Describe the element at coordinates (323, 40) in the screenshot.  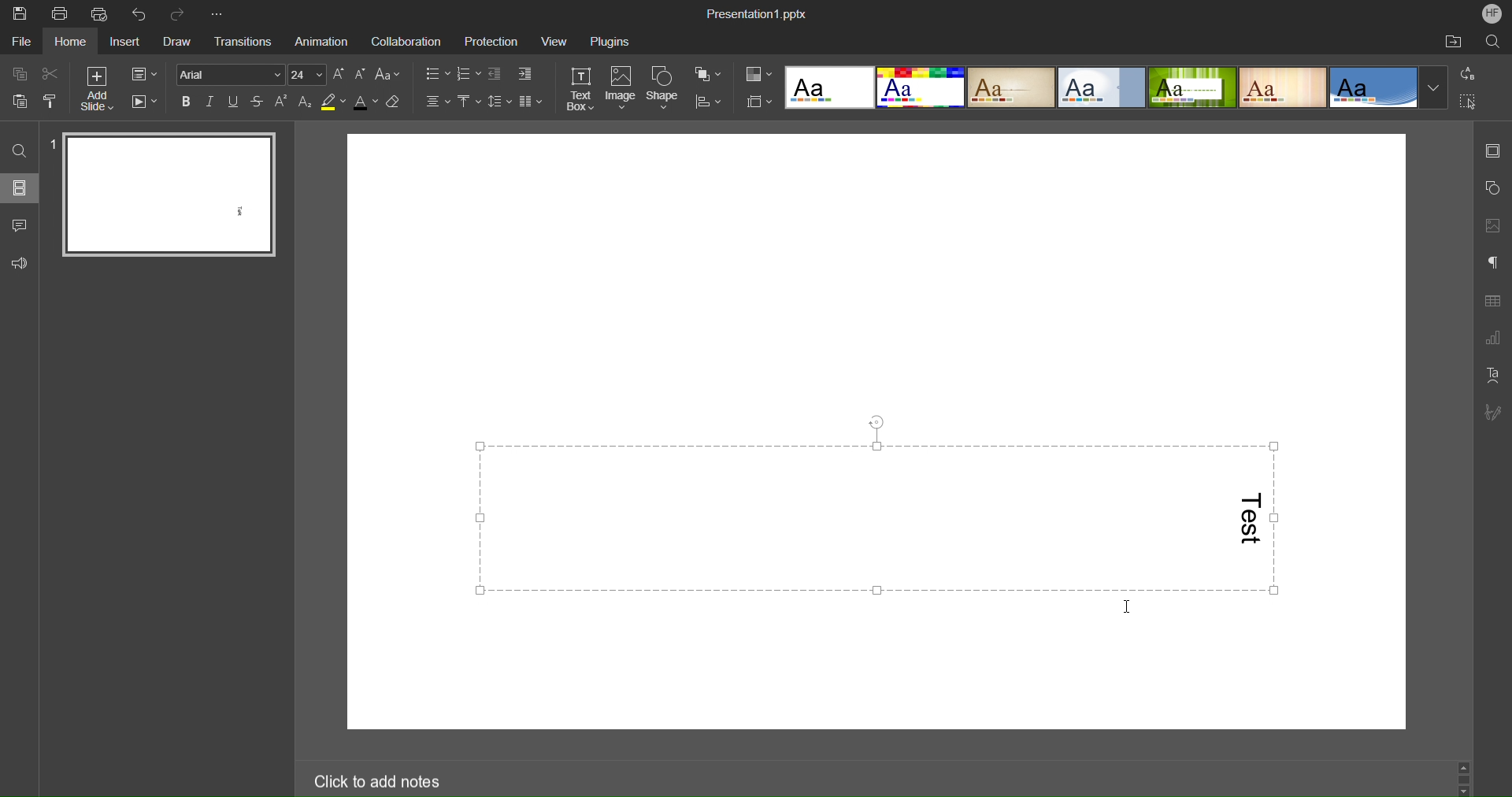
I see `Animation` at that location.